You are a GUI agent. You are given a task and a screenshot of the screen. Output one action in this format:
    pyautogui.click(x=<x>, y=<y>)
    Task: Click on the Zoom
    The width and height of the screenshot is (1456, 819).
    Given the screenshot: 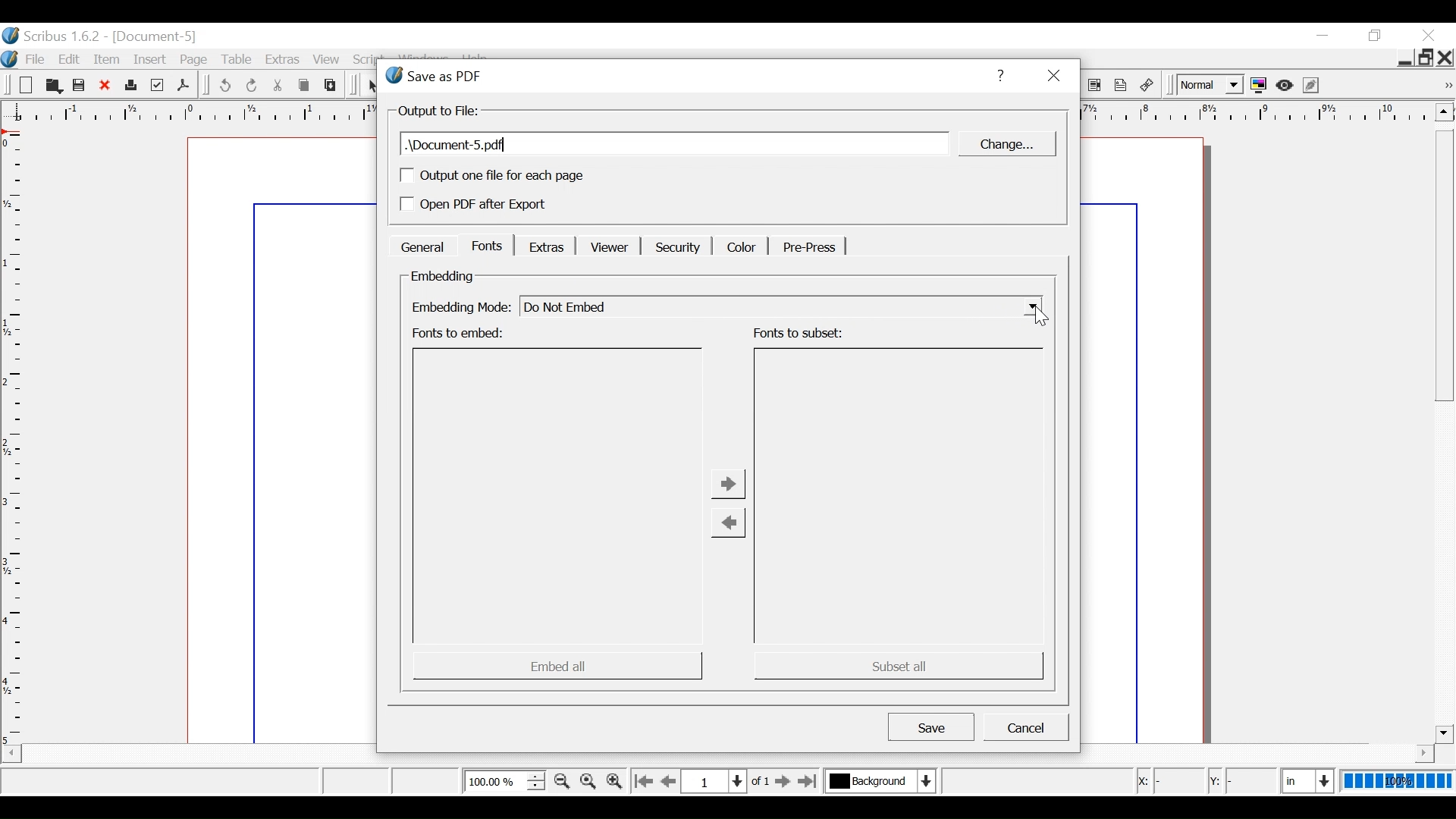 What is the action you would take?
    pyautogui.click(x=504, y=780)
    